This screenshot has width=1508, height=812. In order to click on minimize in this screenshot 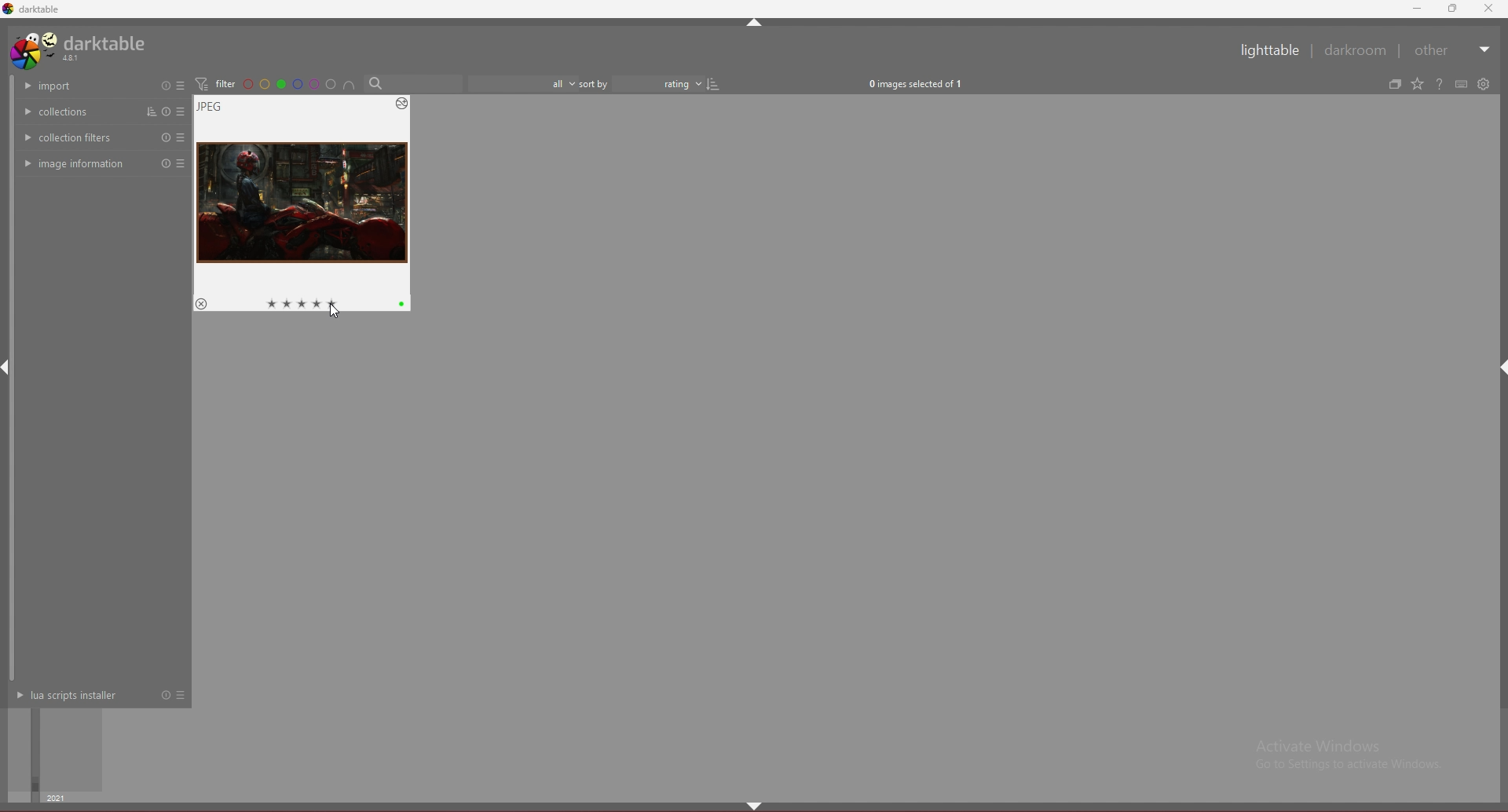, I will do `click(1418, 9)`.